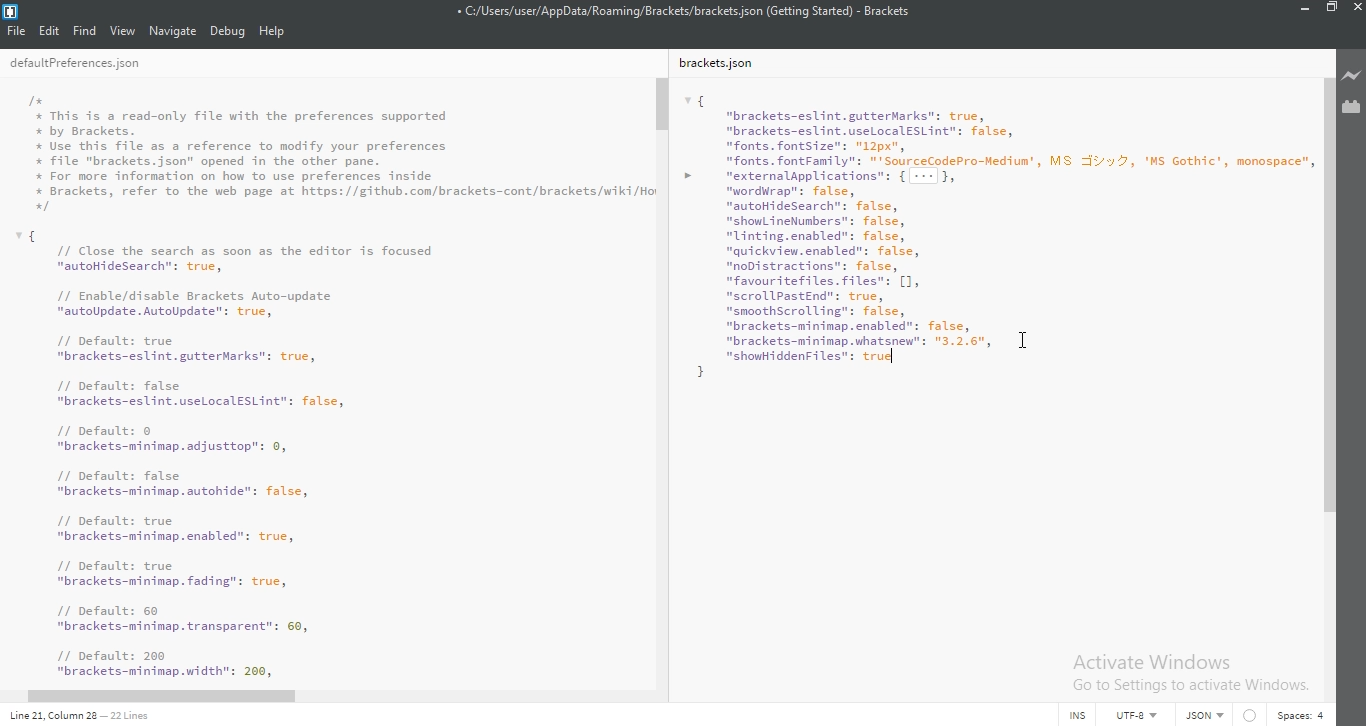 The image size is (1366, 726). I want to click on "showHiddenFiles": true, so click(813, 357).